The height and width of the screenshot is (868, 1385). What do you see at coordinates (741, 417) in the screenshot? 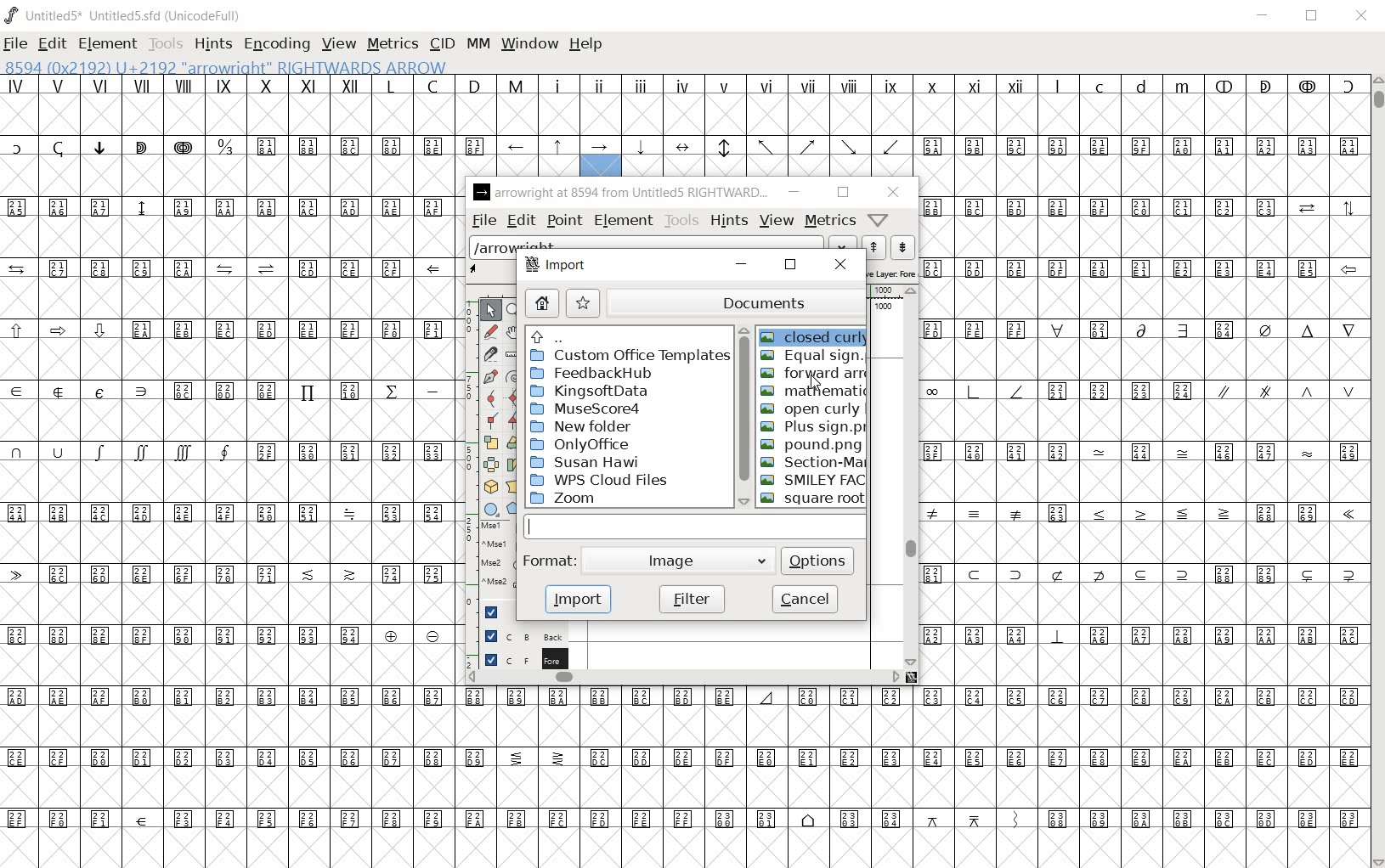
I see `scrollbar` at bounding box center [741, 417].